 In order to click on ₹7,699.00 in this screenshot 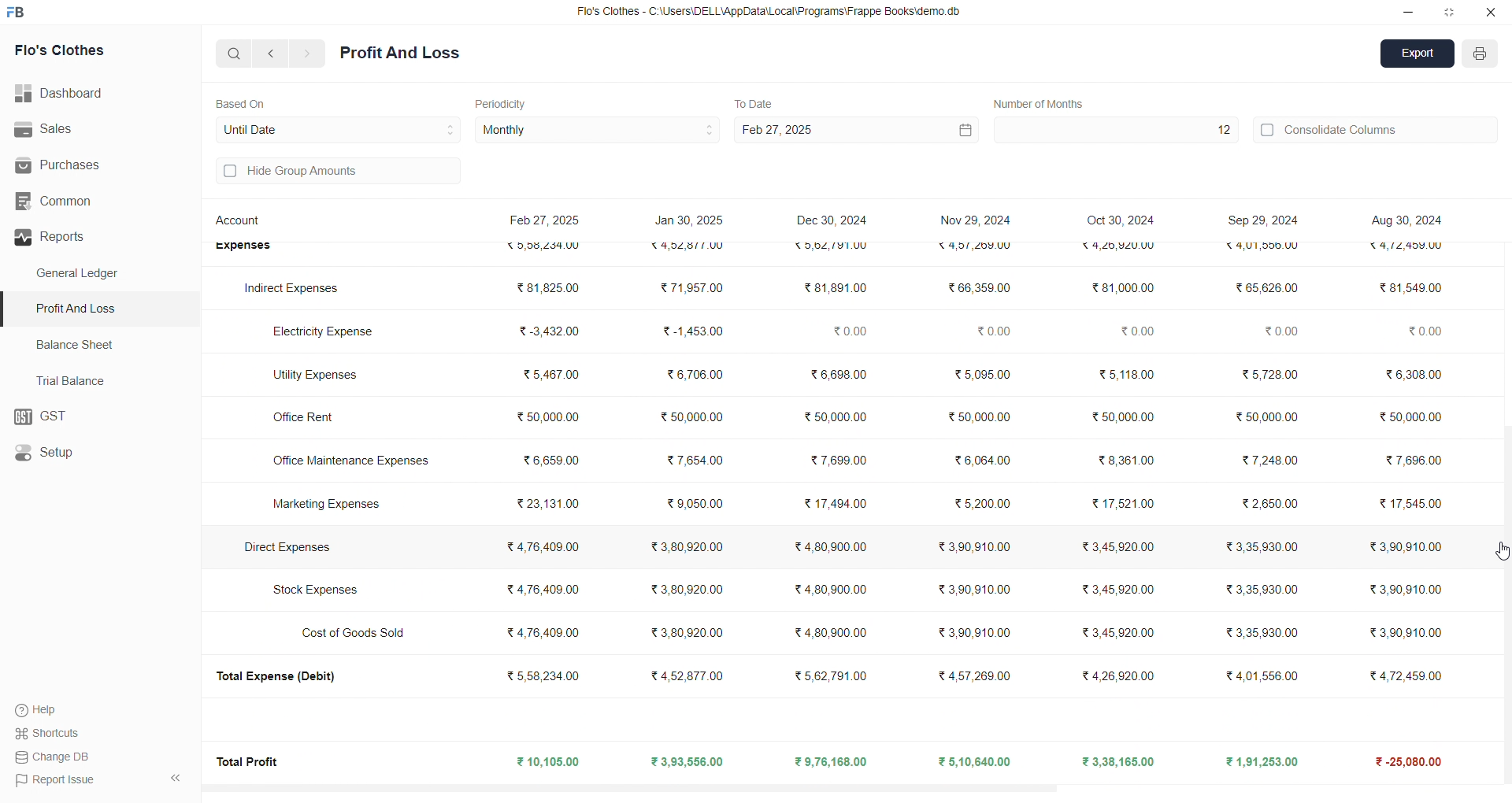, I will do `click(836, 461)`.